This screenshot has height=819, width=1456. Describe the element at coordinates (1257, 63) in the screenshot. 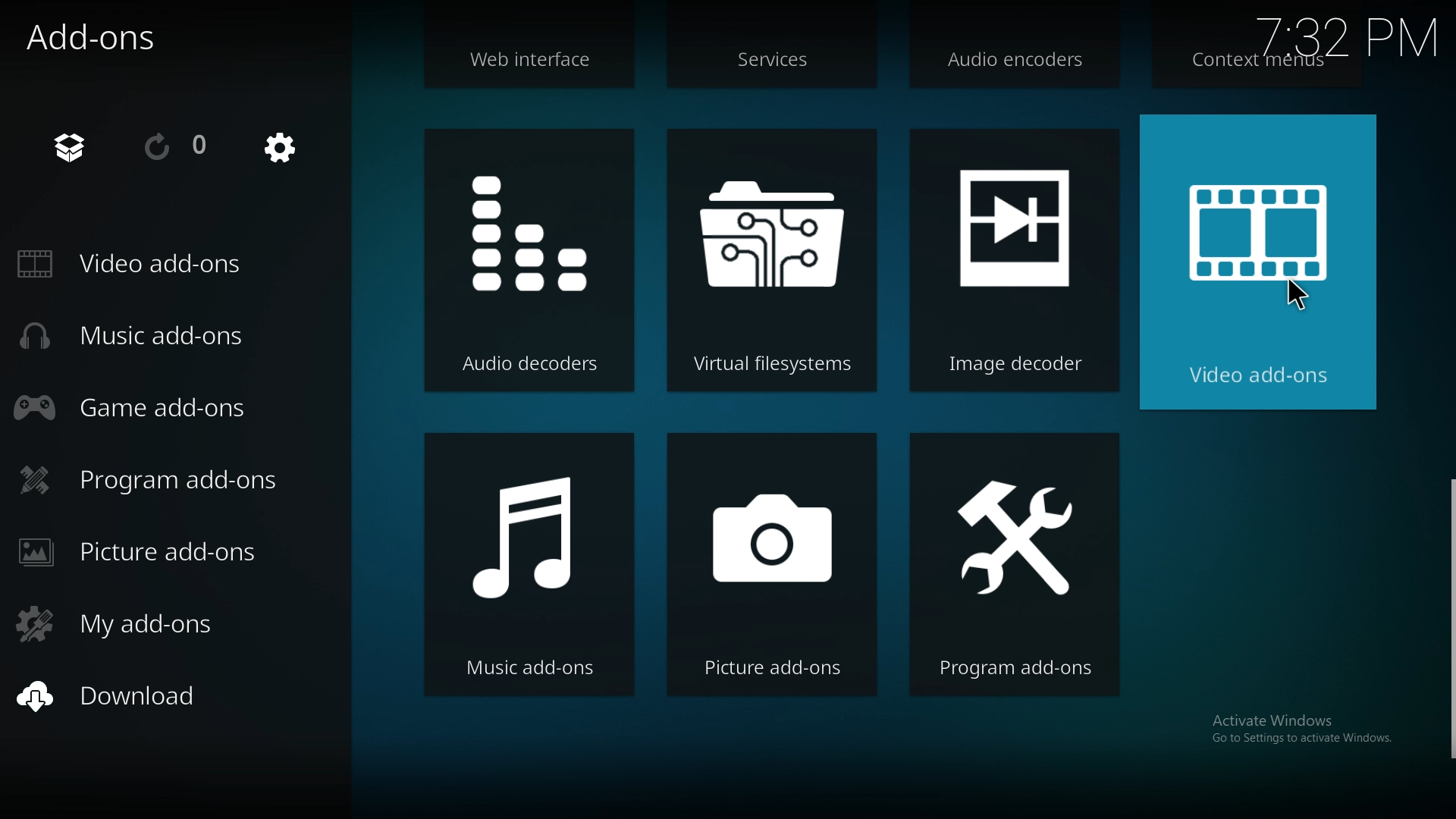

I see `context menus` at that location.